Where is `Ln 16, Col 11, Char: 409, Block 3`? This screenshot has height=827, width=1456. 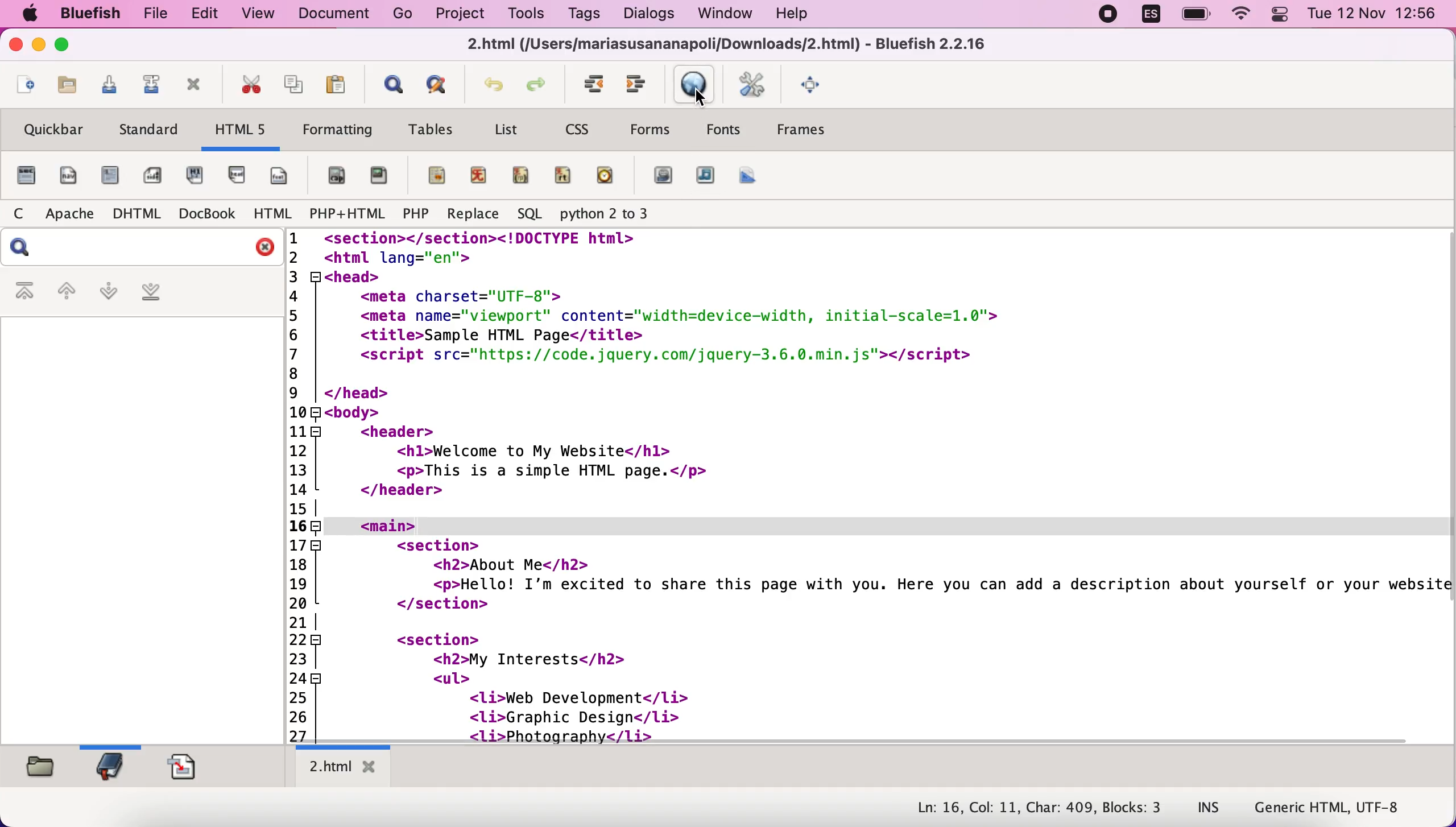
Ln 16, Col 11, Char: 409, Block 3 is located at coordinates (1036, 809).